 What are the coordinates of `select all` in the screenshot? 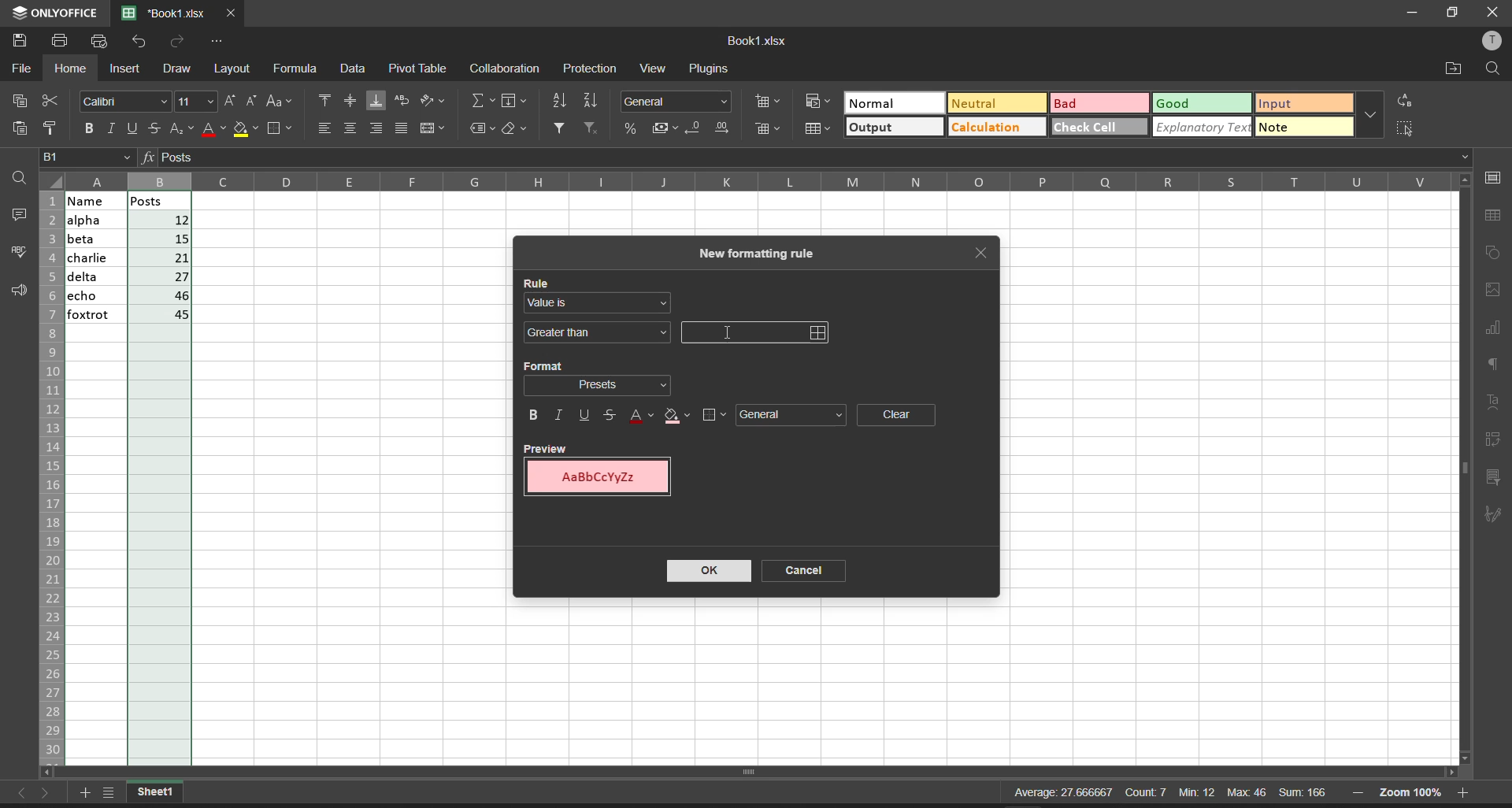 It's located at (1407, 127).